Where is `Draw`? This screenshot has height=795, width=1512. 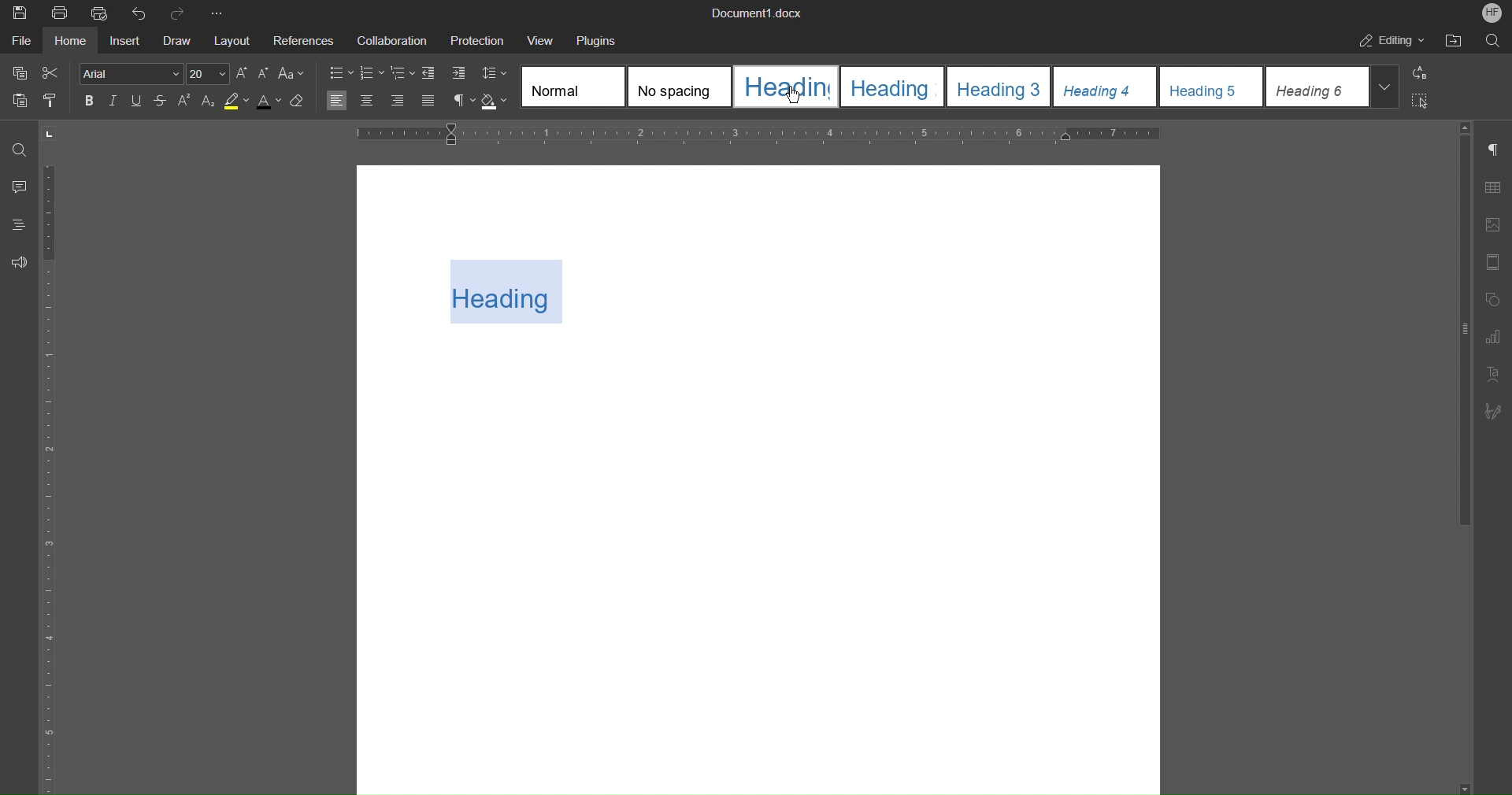
Draw is located at coordinates (176, 40).